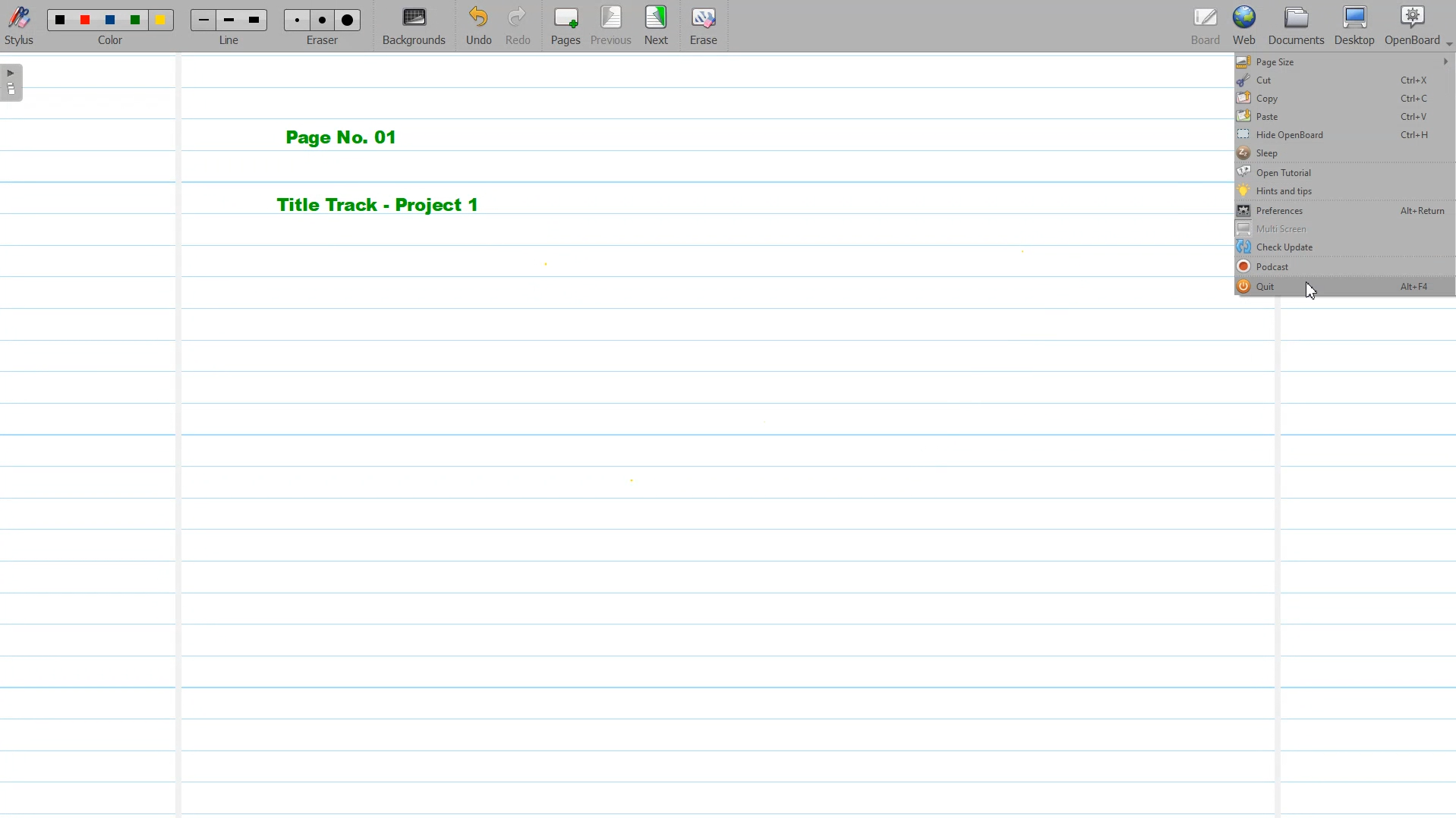  Describe the element at coordinates (323, 27) in the screenshot. I see `Eraser` at that location.